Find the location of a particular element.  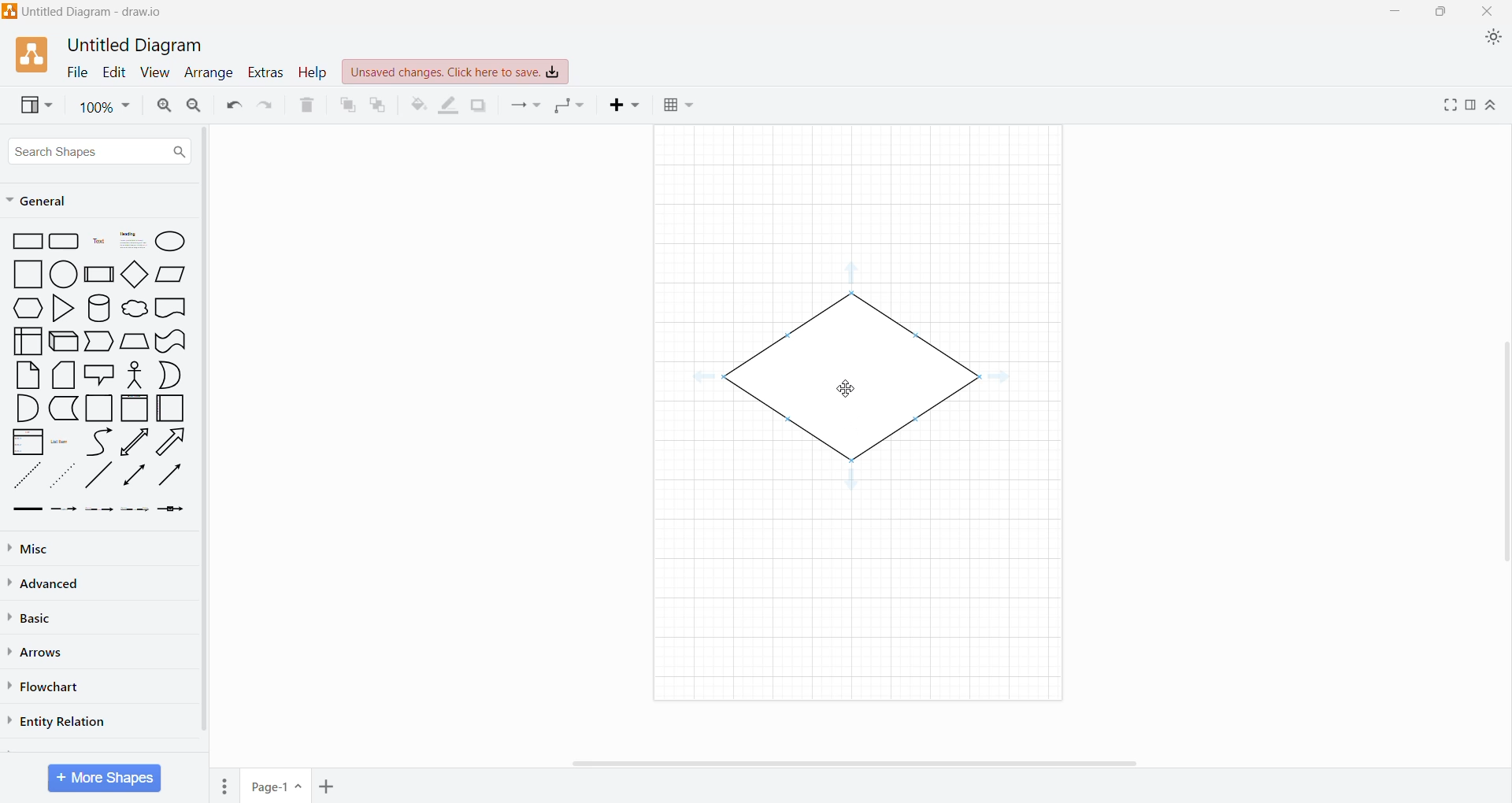

Delete is located at coordinates (307, 105).